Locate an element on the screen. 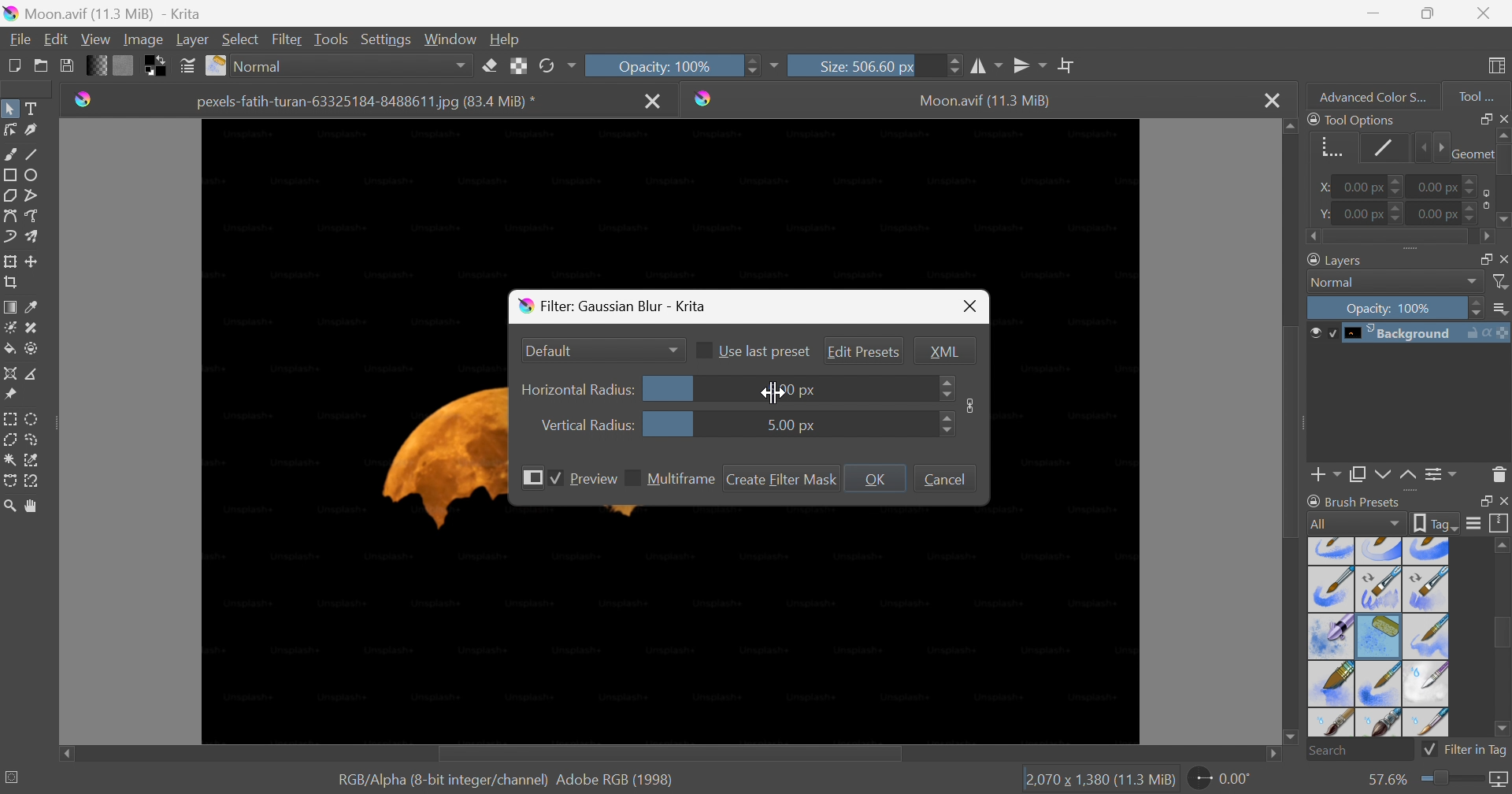 The width and height of the screenshot is (1512, 794). Use last preset is located at coordinates (765, 351).